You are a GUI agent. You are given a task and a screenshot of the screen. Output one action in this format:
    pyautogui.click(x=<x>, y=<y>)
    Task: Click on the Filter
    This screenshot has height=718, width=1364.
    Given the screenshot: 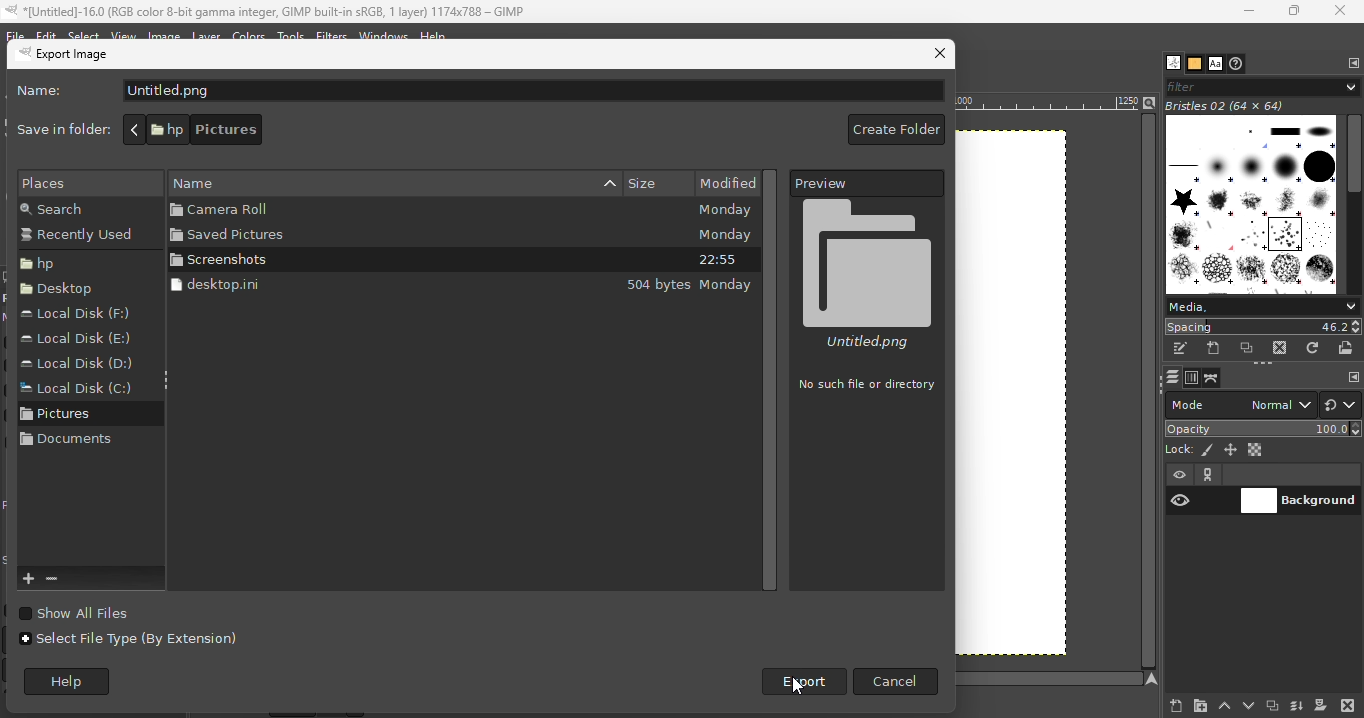 What is the action you would take?
    pyautogui.click(x=1261, y=85)
    